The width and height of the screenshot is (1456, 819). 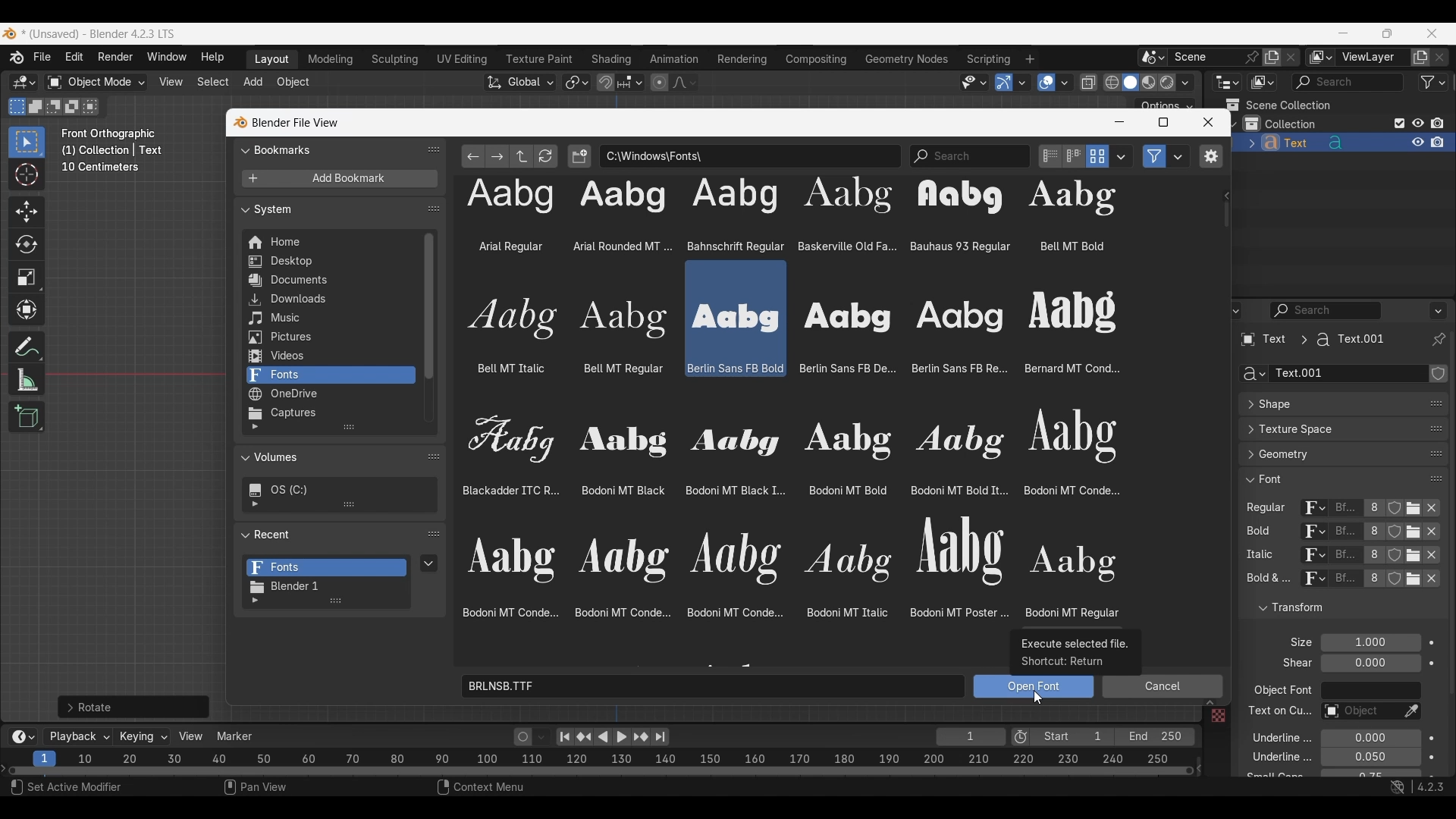 I want to click on Rendering workspace, so click(x=742, y=58).